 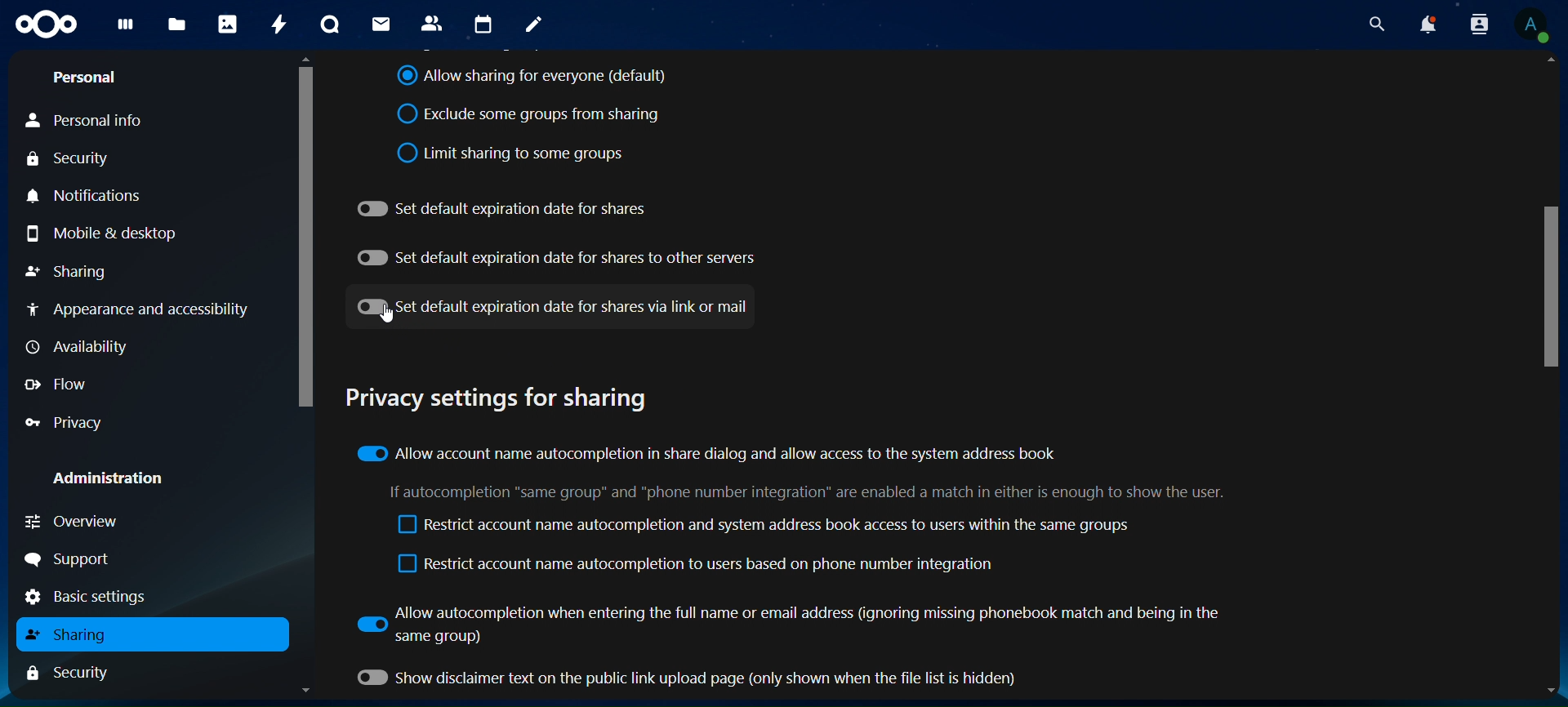 I want to click on availability, so click(x=75, y=345).